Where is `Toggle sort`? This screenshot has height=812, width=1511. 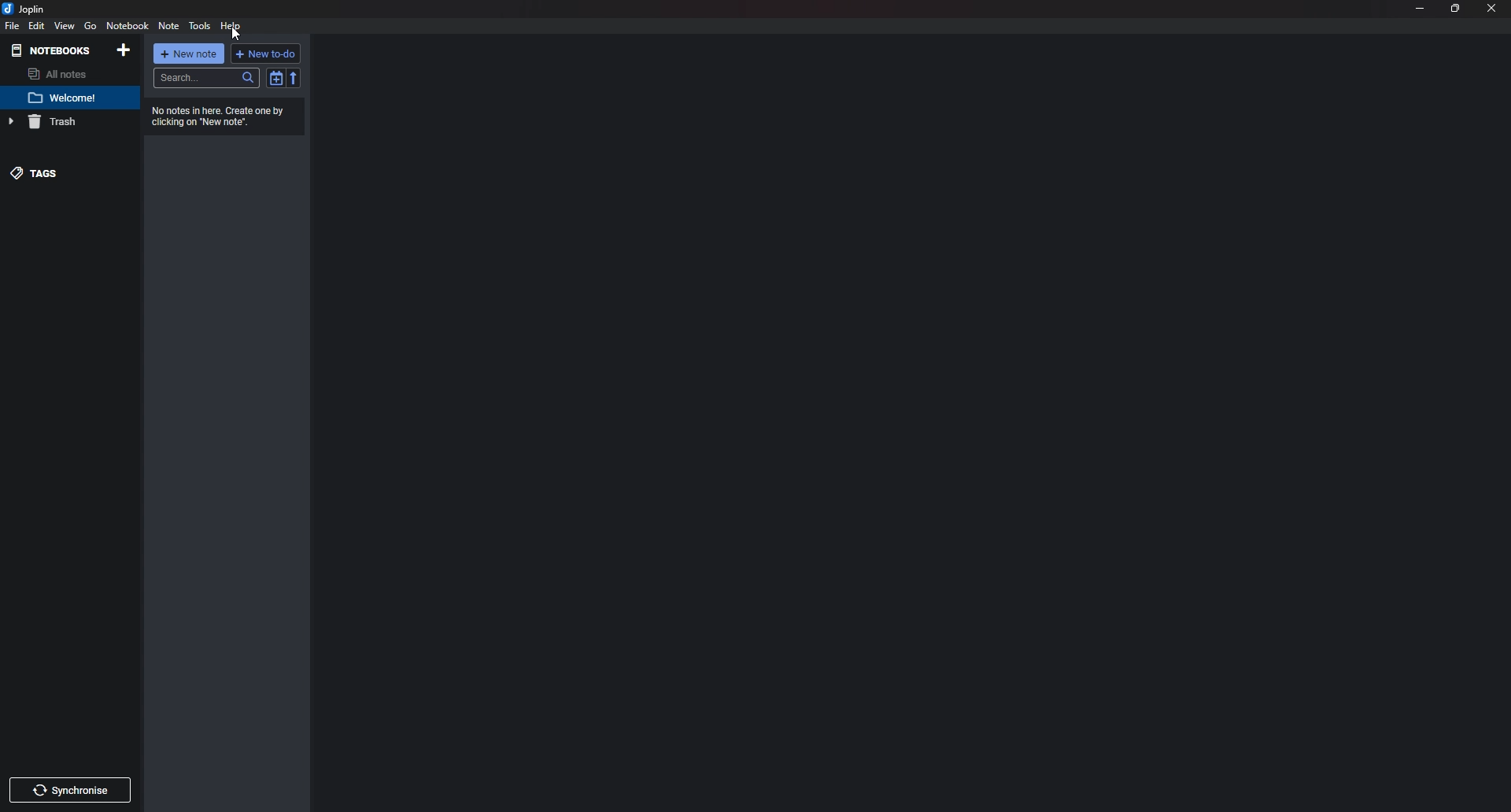 Toggle sort is located at coordinates (275, 79).